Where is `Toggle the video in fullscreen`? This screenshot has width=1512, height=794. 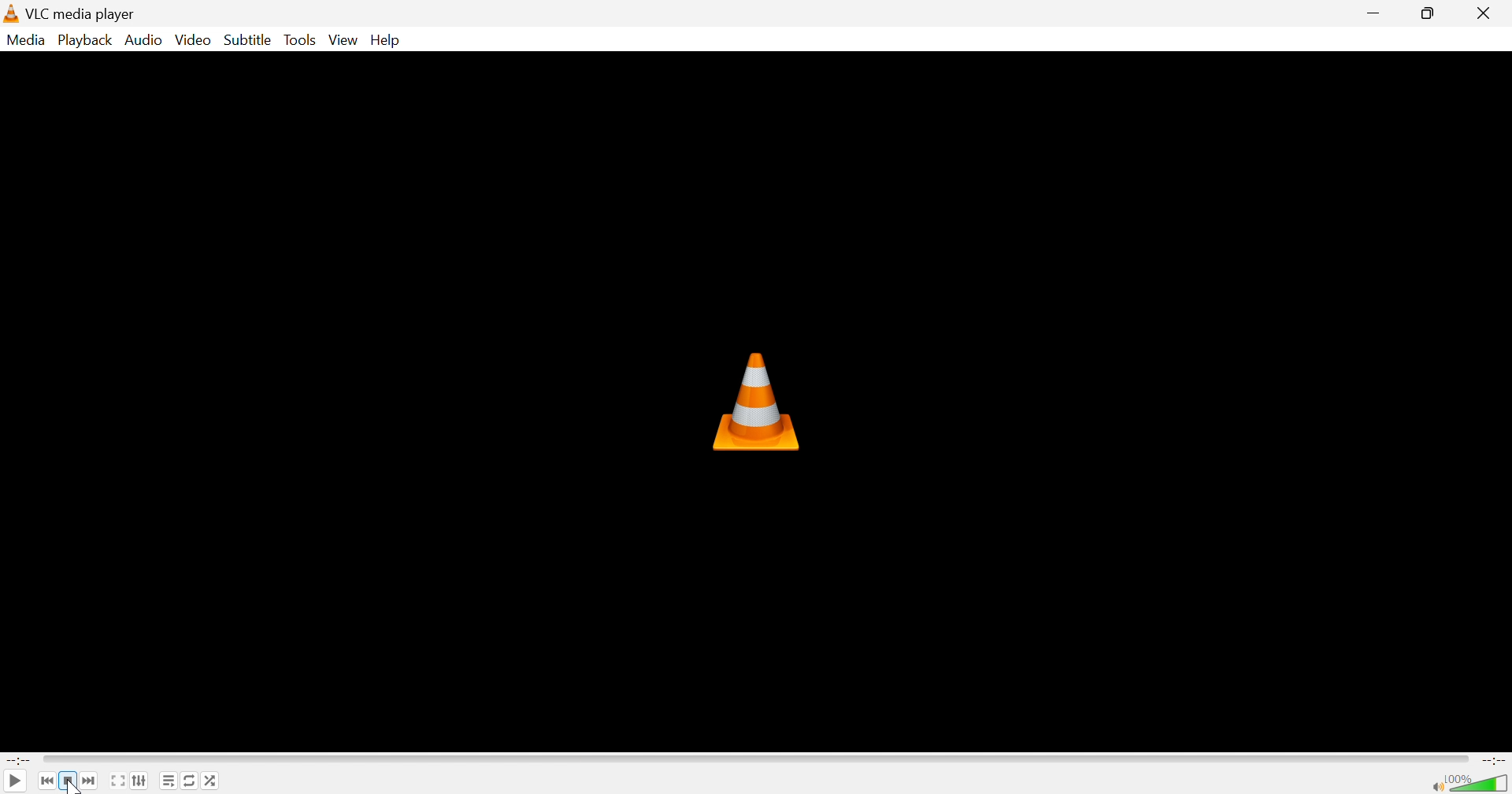
Toggle the video in fullscreen is located at coordinates (118, 780).